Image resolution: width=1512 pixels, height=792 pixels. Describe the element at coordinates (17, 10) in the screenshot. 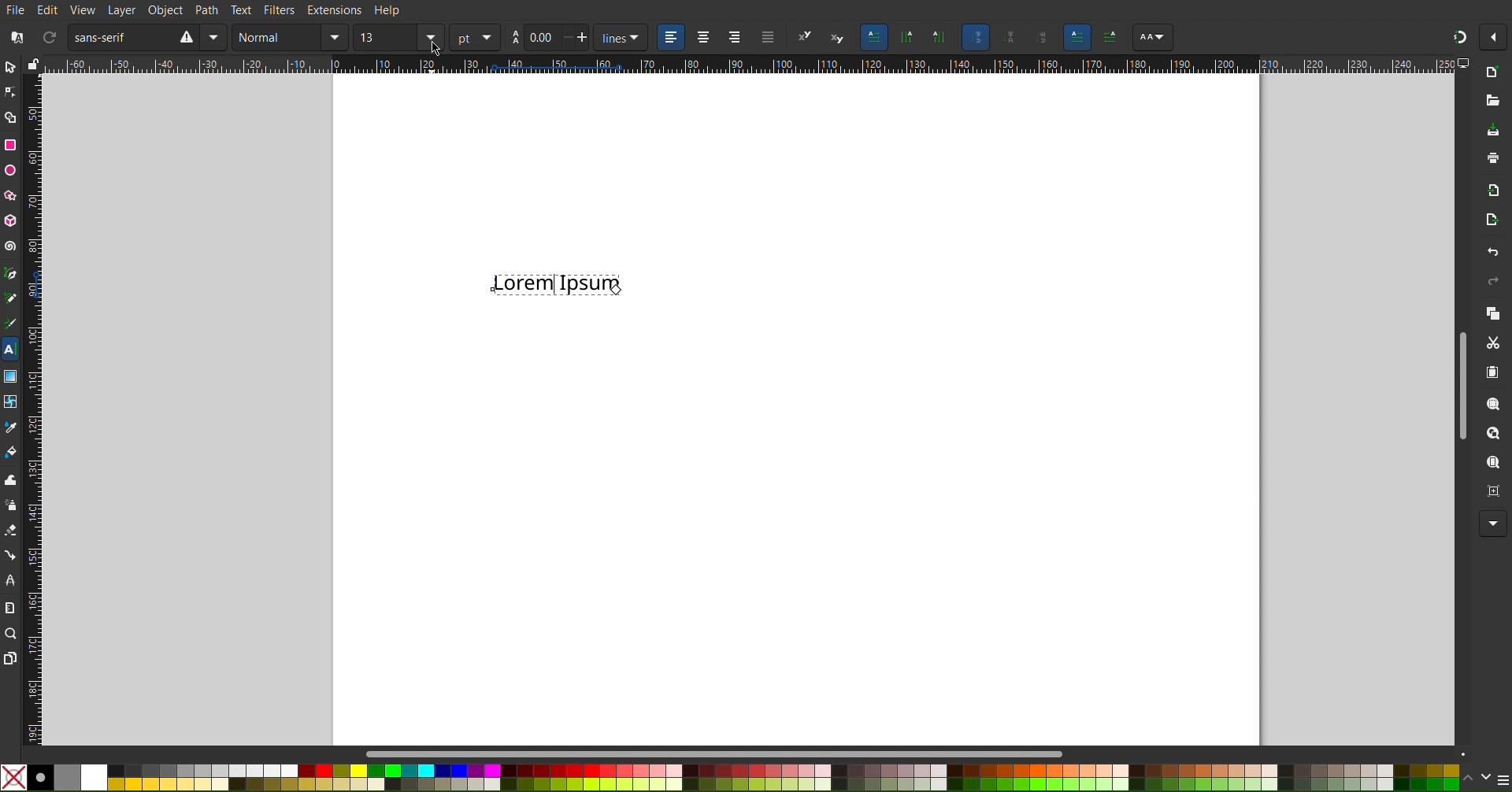

I see `File ` at that location.